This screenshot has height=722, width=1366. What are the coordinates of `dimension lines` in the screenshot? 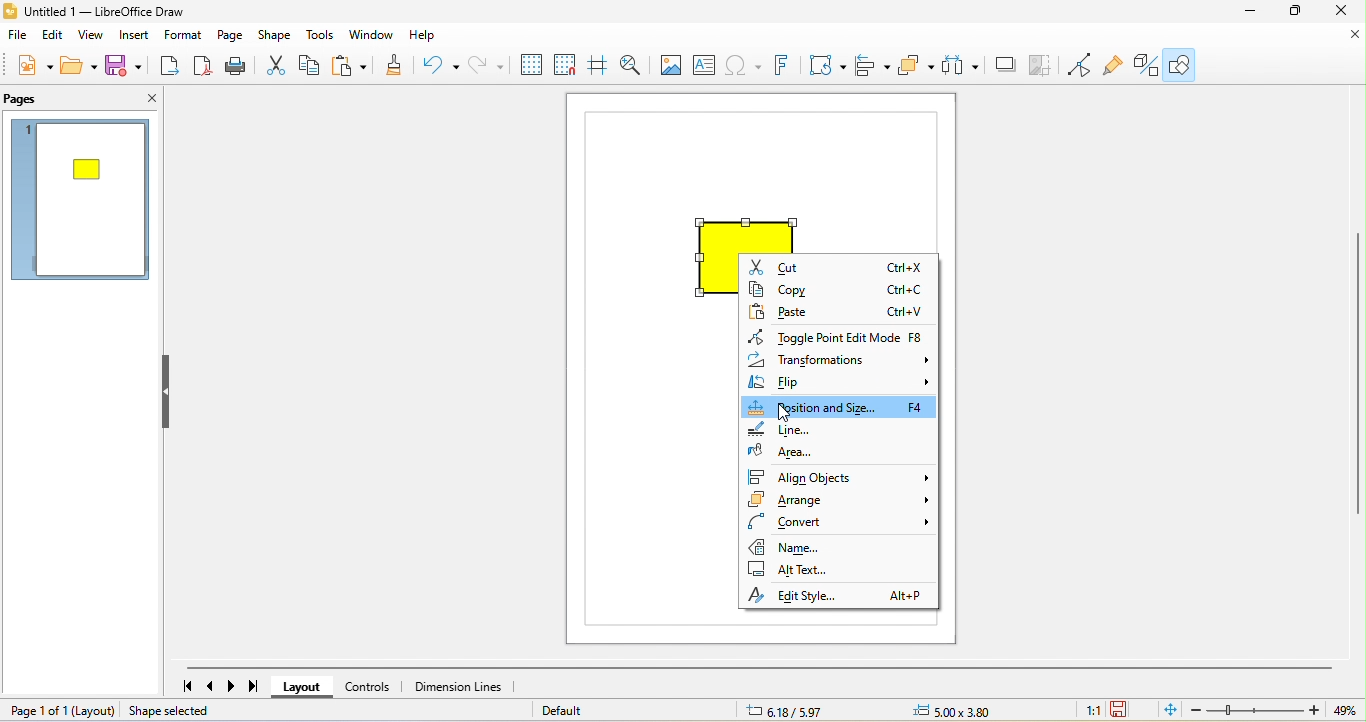 It's located at (460, 686).